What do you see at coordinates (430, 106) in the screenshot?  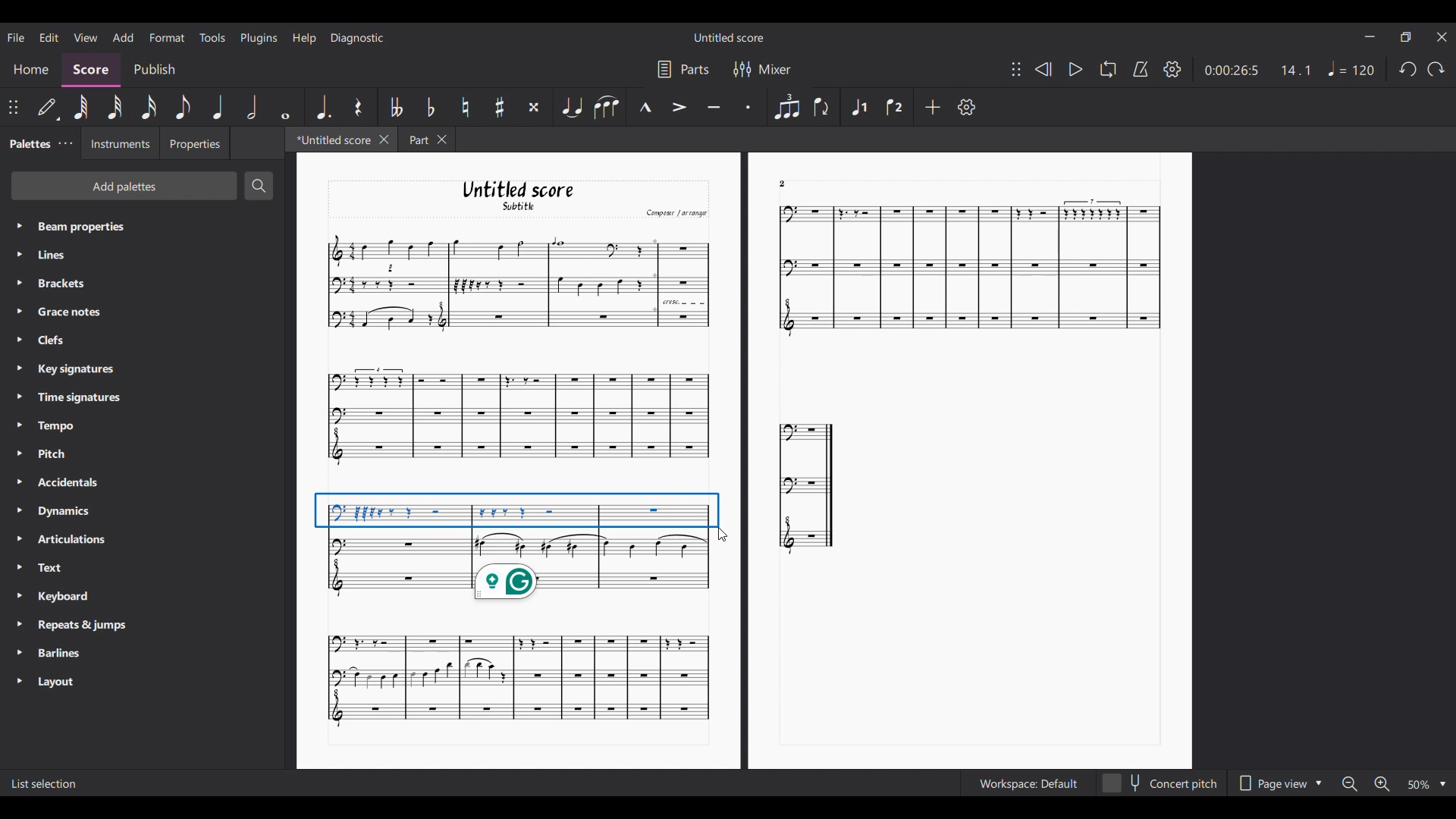 I see `Toggle flat` at bounding box center [430, 106].